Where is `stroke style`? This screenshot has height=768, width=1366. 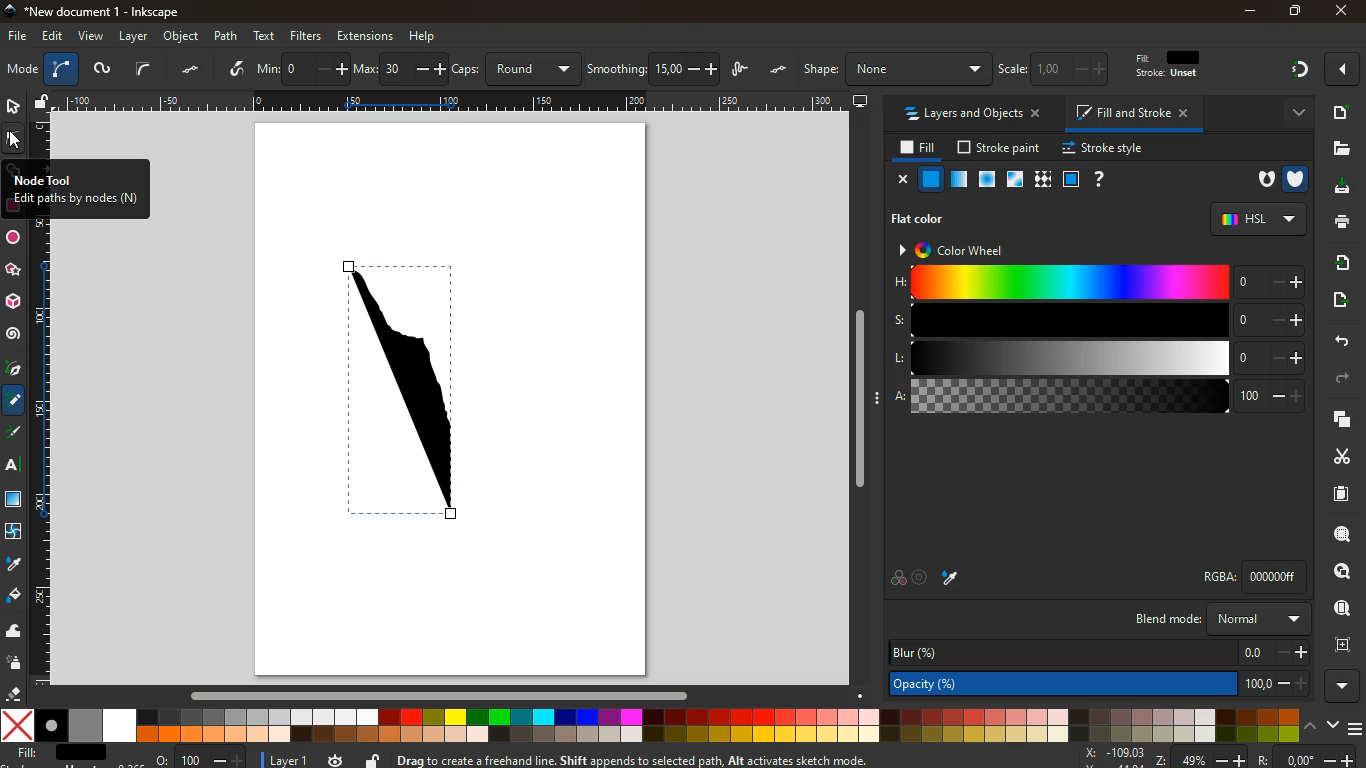
stroke style is located at coordinates (1106, 149).